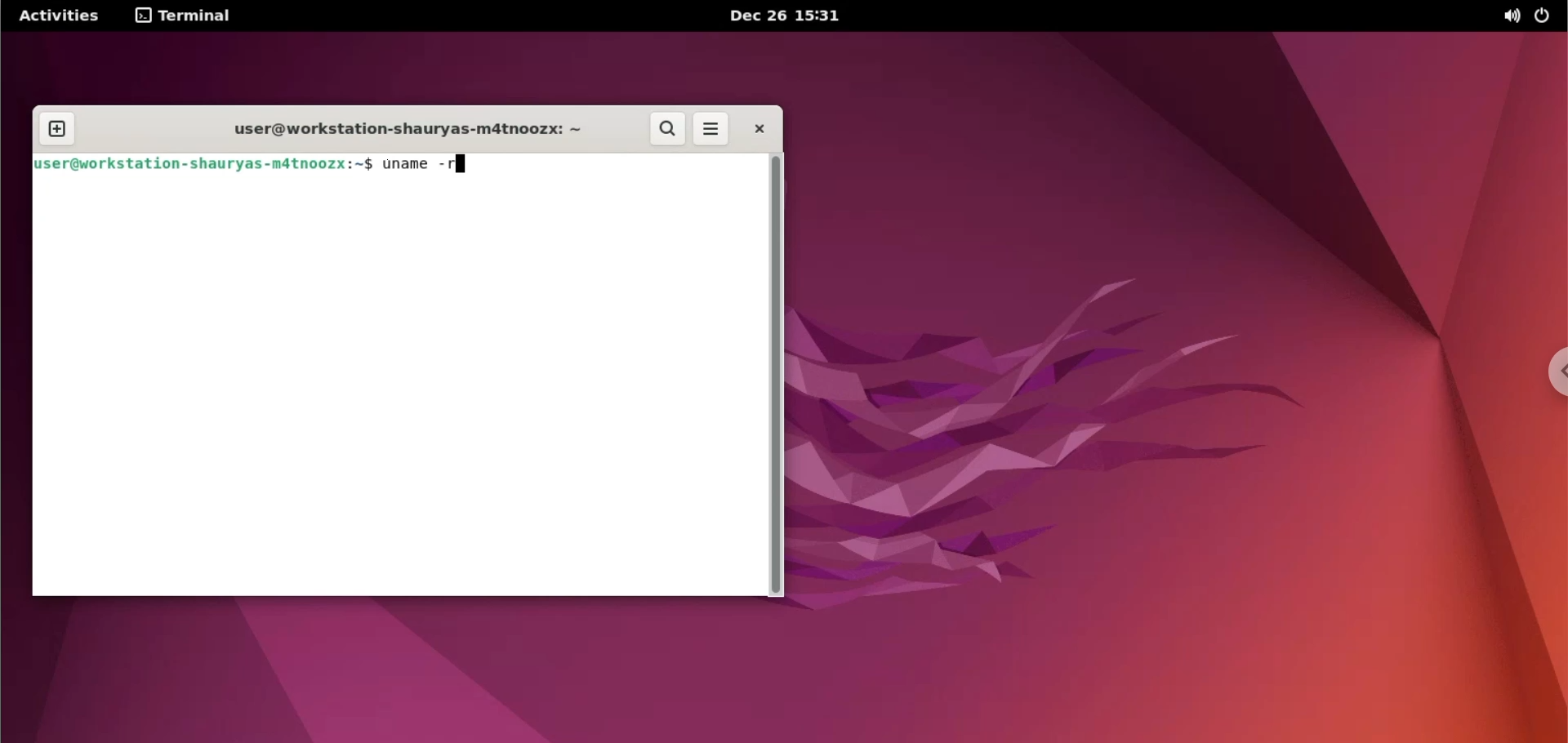 The image size is (1568, 743). What do you see at coordinates (60, 130) in the screenshot?
I see `new terminal tab` at bounding box center [60, 130].